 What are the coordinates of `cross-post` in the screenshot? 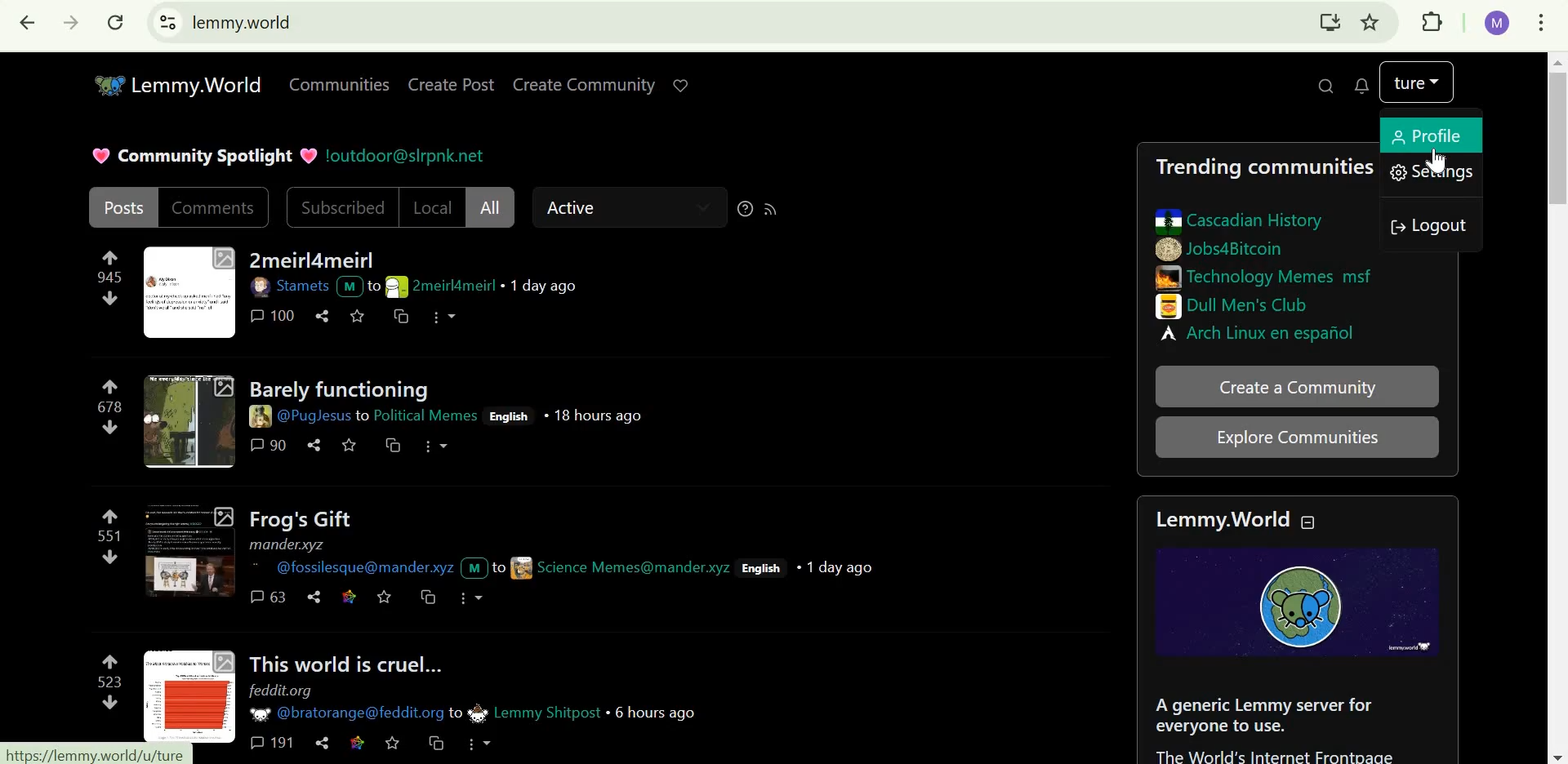 It's located at (397, 318).